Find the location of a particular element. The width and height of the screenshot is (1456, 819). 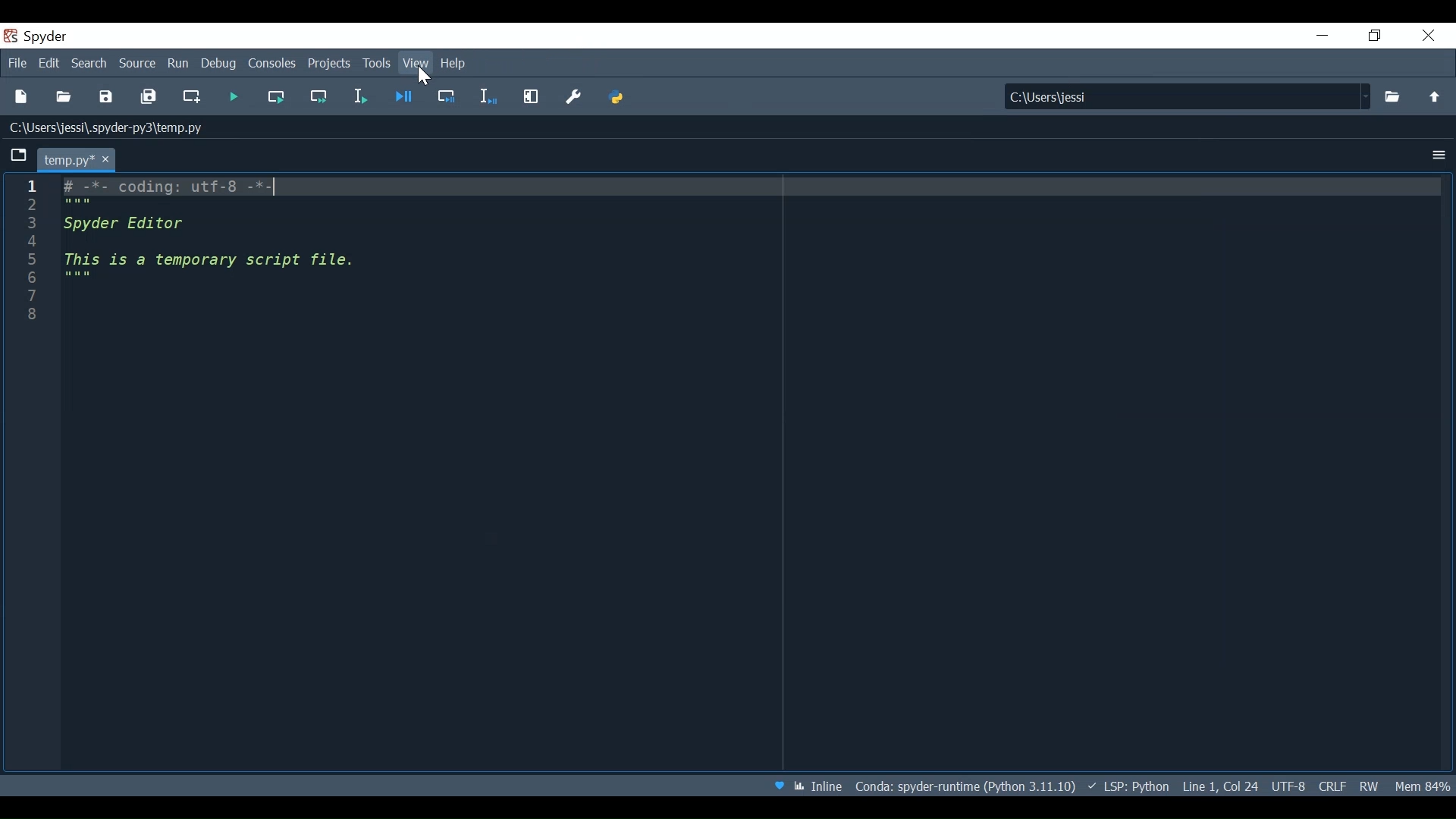

Toggle between inline and interactive Matplotlib plotting is located at coordinates (817, 786).